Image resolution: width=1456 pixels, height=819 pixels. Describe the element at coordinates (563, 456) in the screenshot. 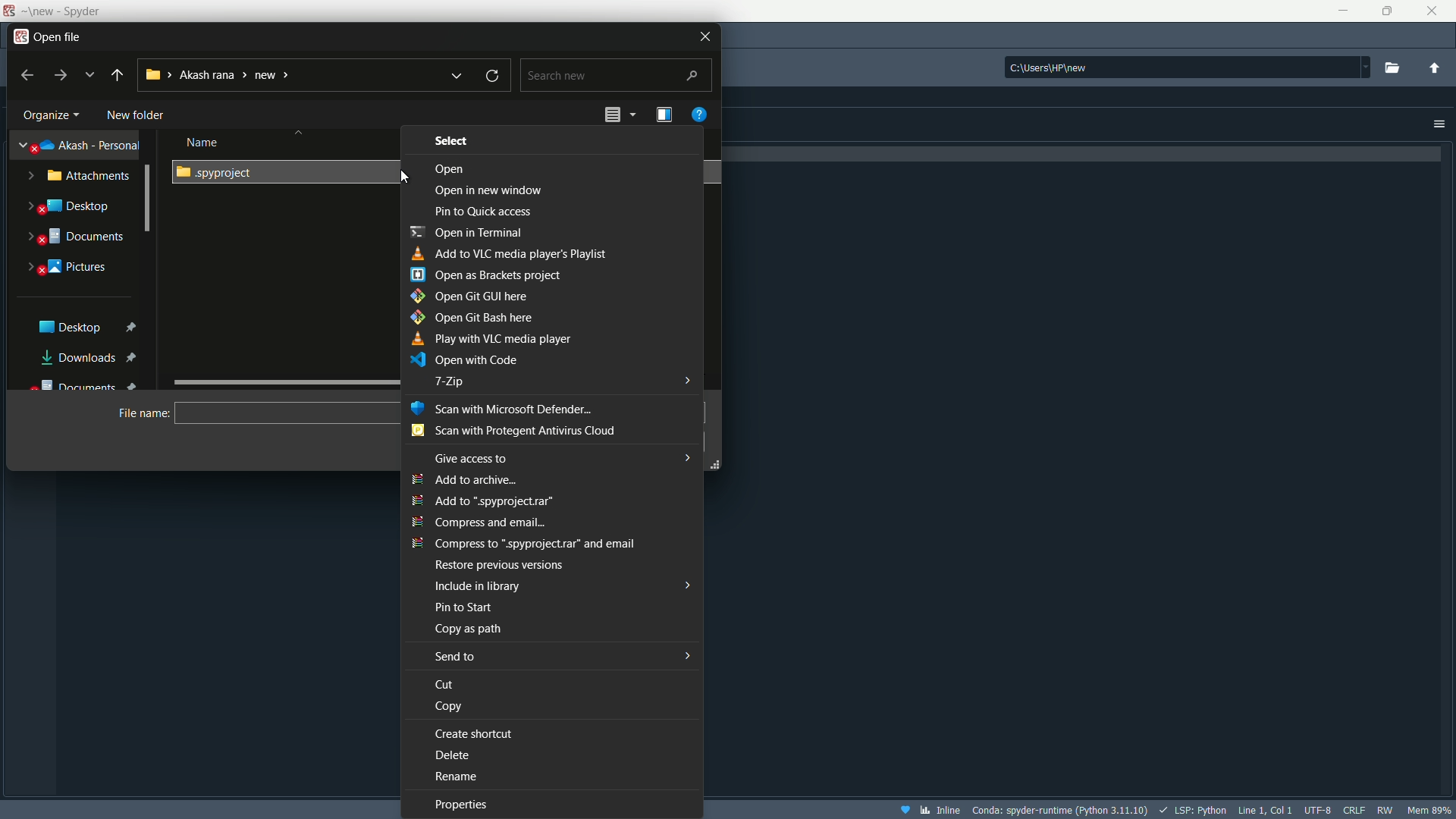

I see `Give access to` at that location.